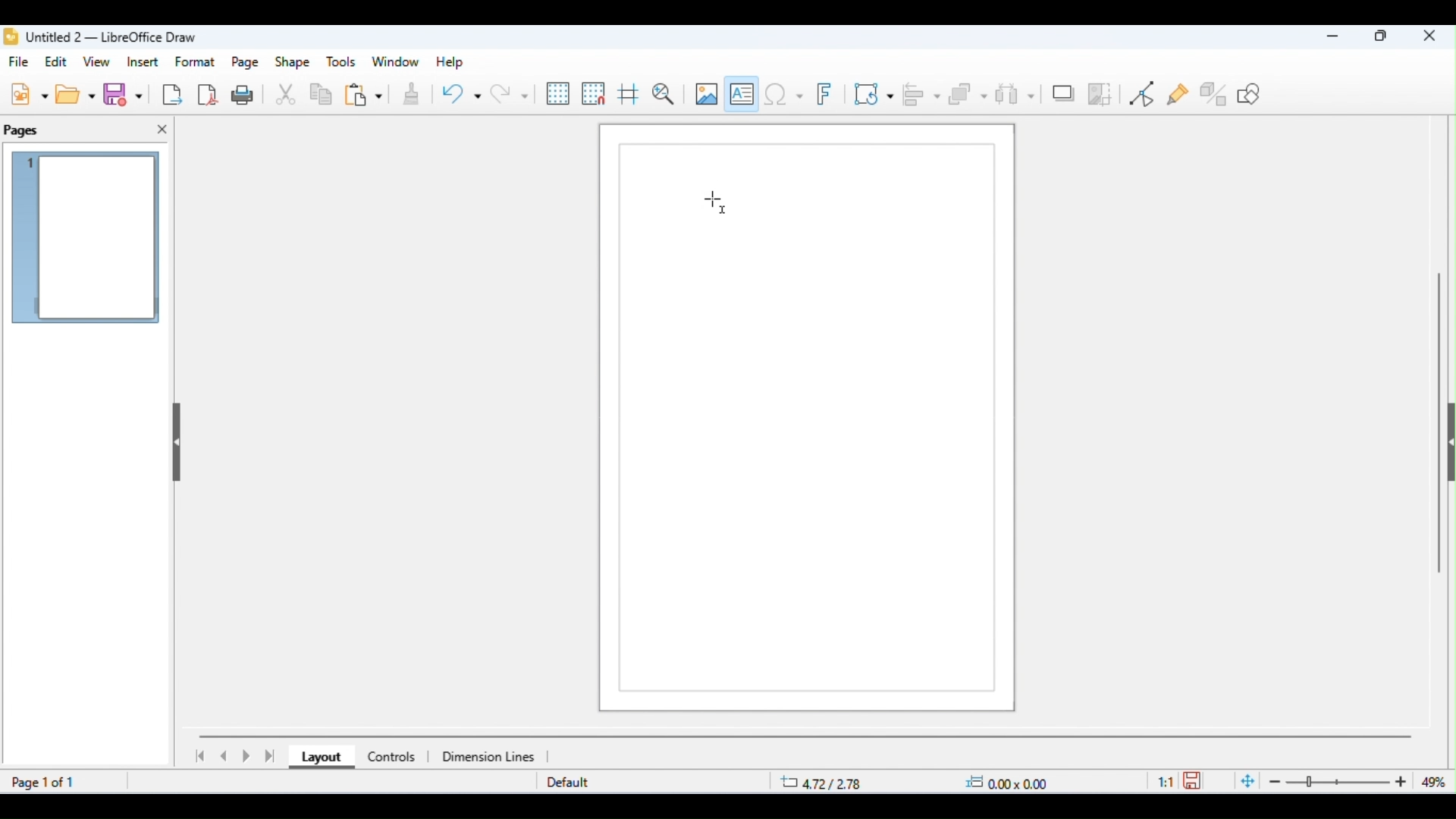  Describe the element at coordinates (391, 757) in the screenshot. I see `controls` at that location.